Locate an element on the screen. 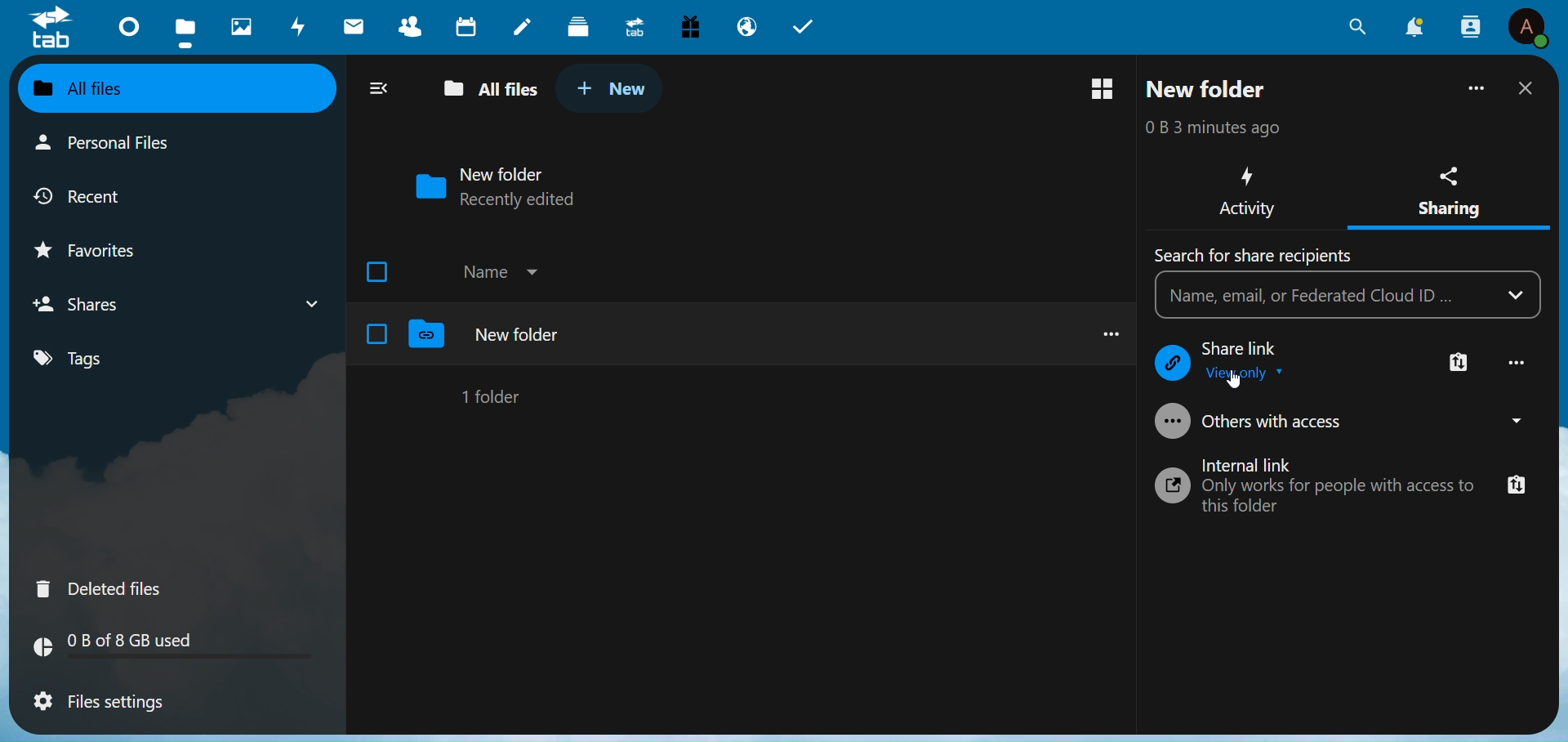 Image resolution: width=1568 pixels, height=742 pixels. 1 Folder is located at coordinates (495, 396).